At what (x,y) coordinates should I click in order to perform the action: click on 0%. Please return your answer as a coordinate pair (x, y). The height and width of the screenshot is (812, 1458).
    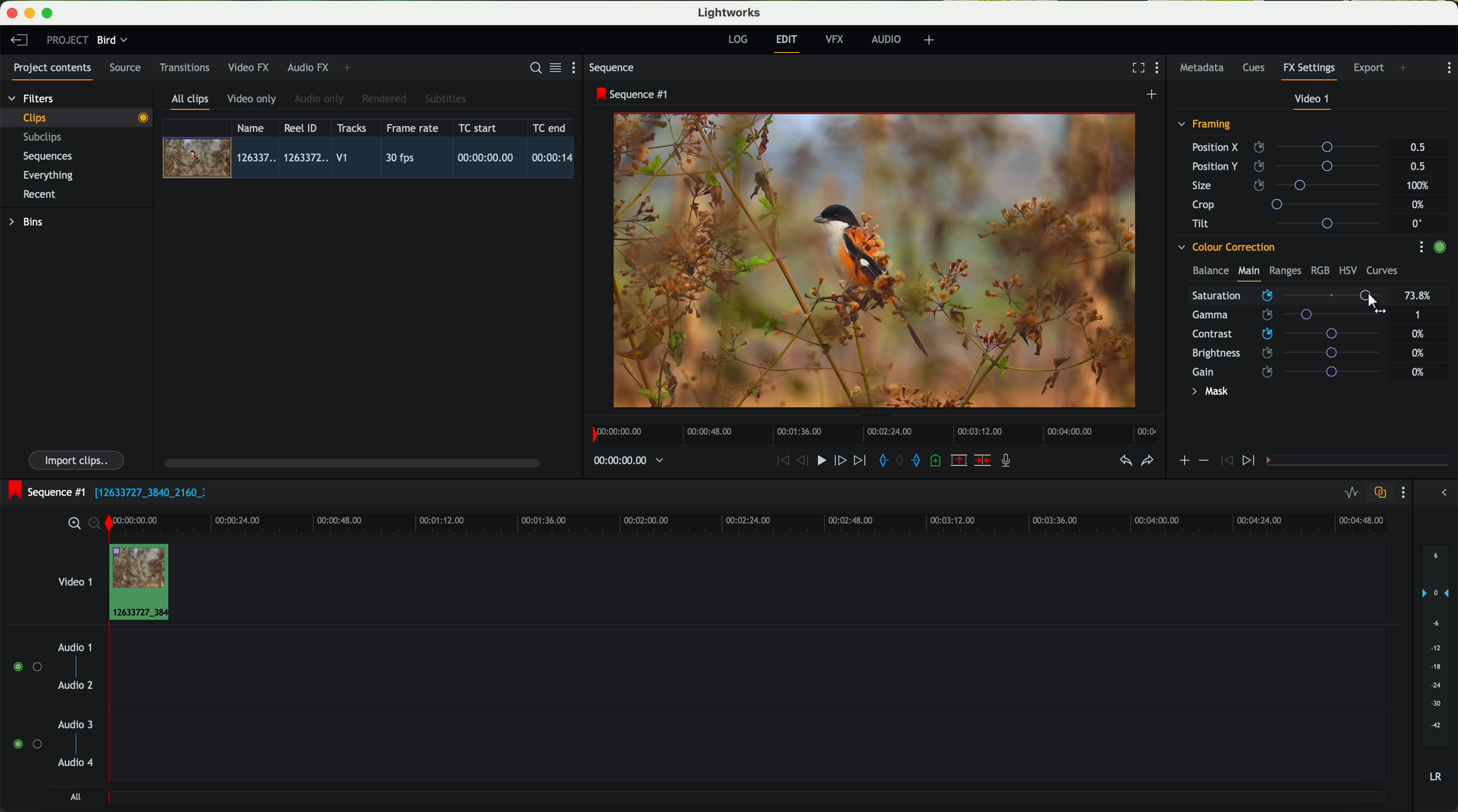
    Looking at the image, I should click on (1420, 334).